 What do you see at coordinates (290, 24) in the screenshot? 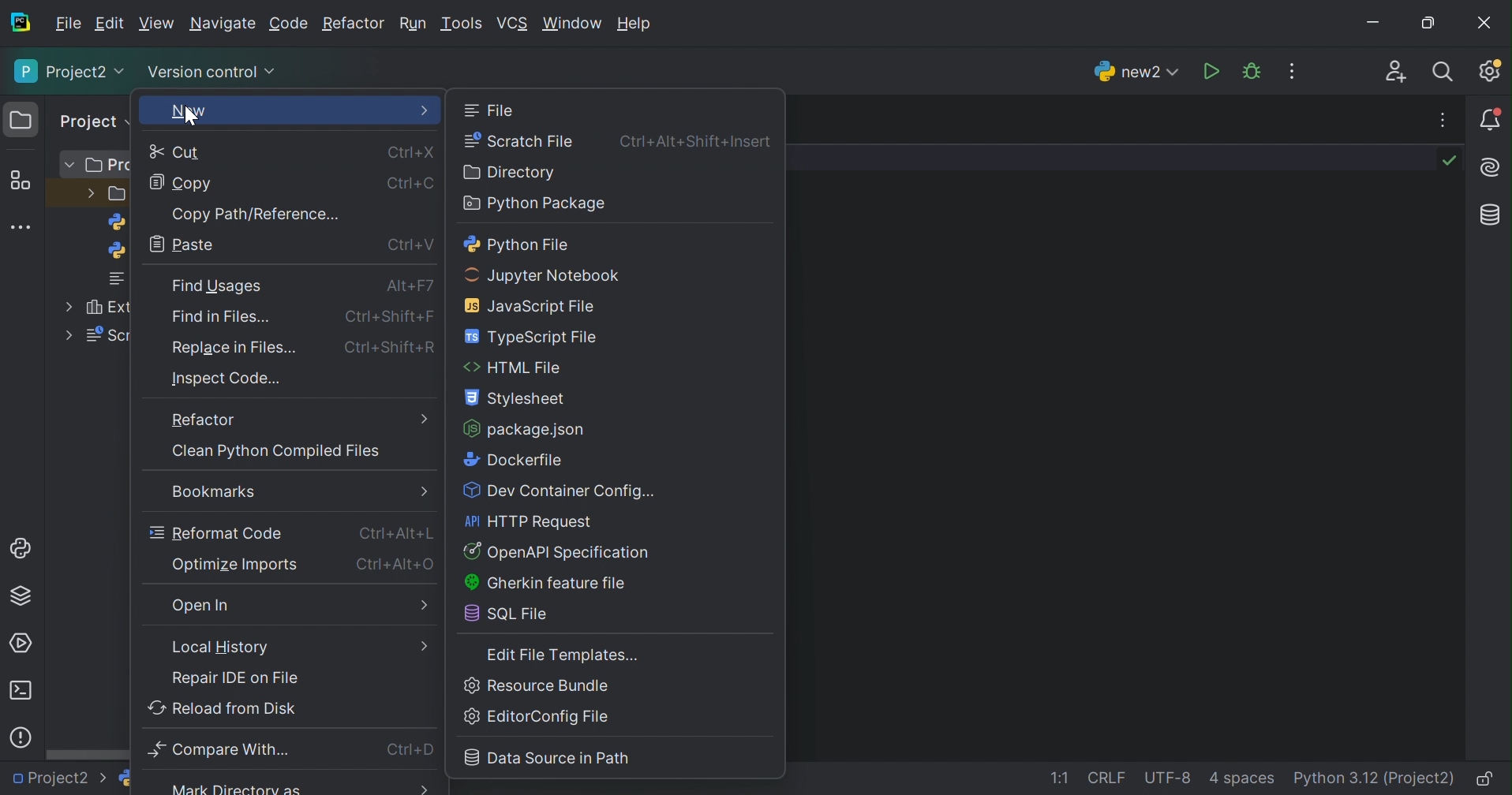
I see `Code` at bounding box center [290, 24].